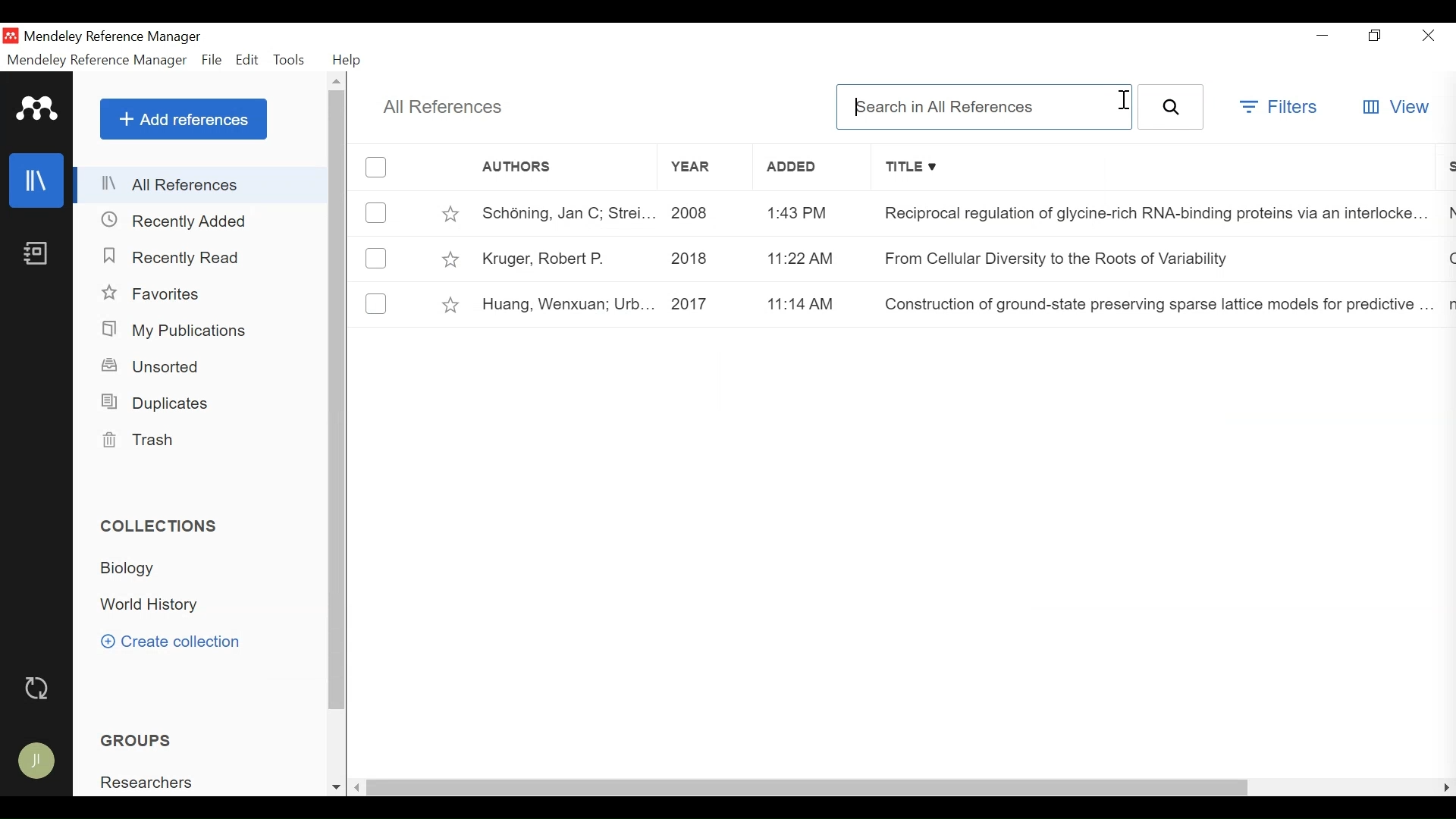 The width and height of the screenshot is (1456, 819). I want to click on Scroll Left, so click(358, 789).